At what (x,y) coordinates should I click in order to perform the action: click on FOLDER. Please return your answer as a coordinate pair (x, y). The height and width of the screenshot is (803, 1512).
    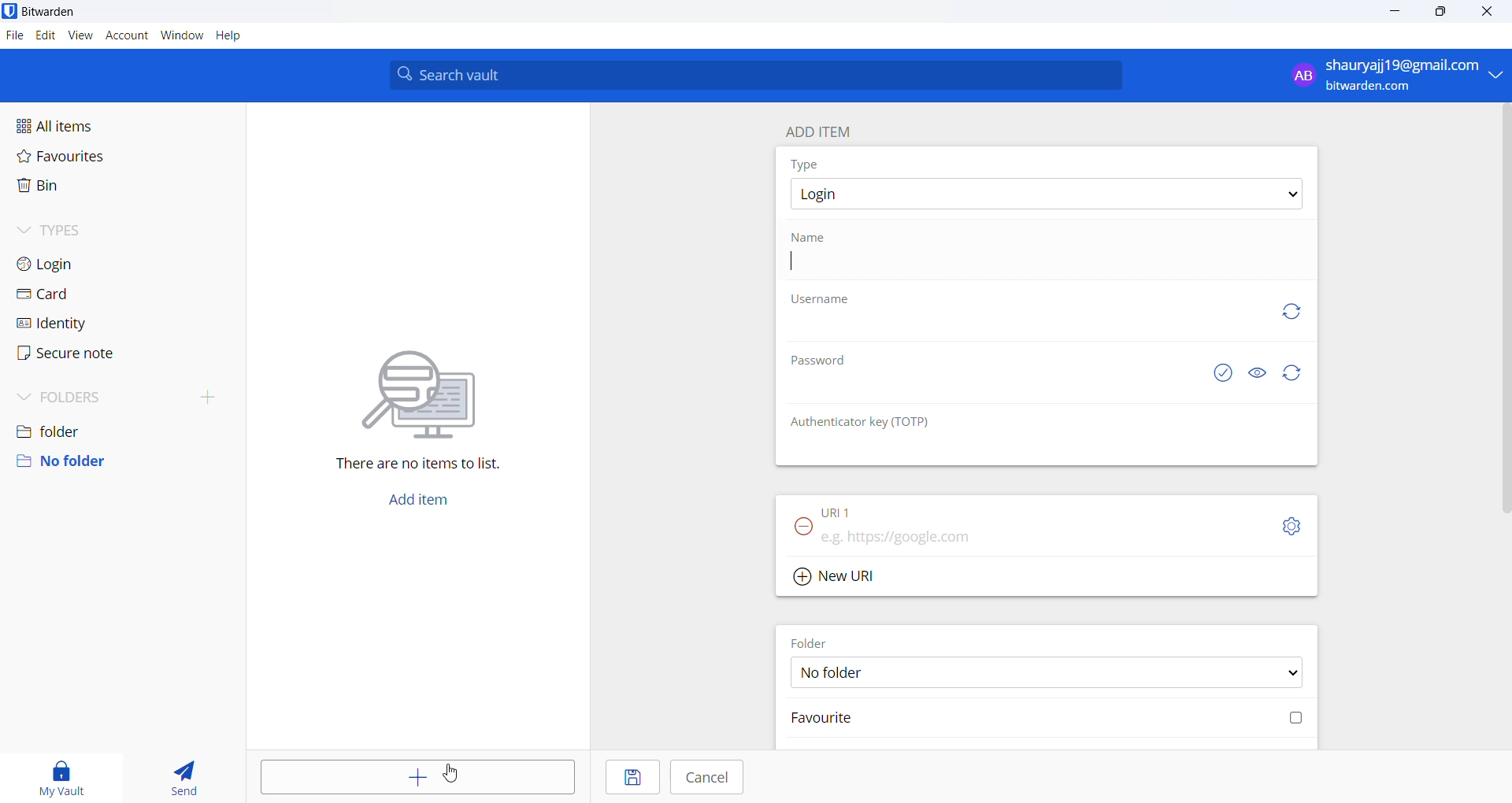
    Looking at the image, I should click on (813, 642).